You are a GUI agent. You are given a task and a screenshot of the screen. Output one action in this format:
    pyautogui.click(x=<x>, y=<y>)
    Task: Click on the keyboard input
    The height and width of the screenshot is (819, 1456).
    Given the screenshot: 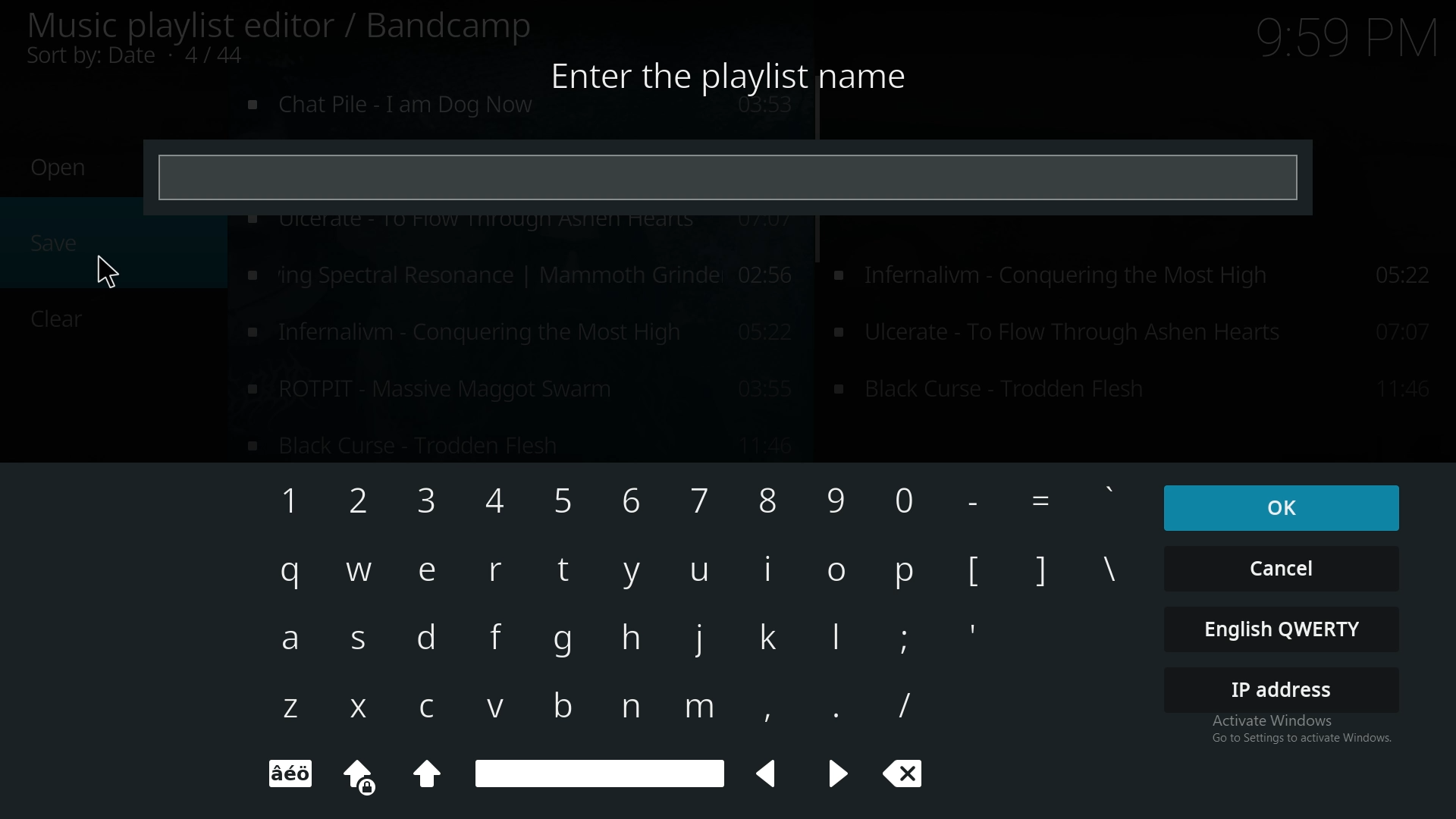 What is the action you would take?
    pyautogui.click(x=498, y=500)
    